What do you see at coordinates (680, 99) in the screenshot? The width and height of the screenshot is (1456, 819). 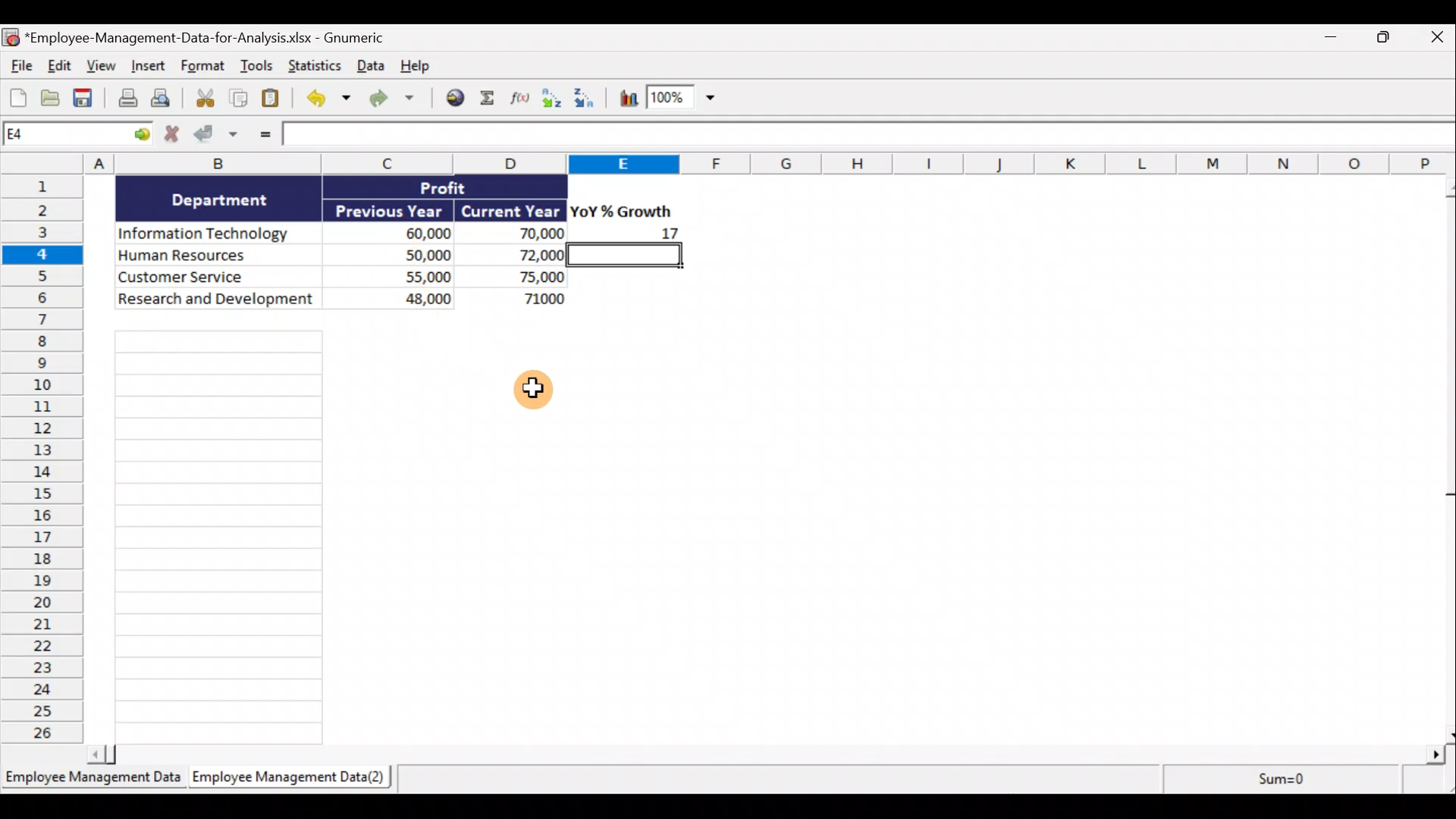 I see `Zoom` at bounding box center [680, 99].